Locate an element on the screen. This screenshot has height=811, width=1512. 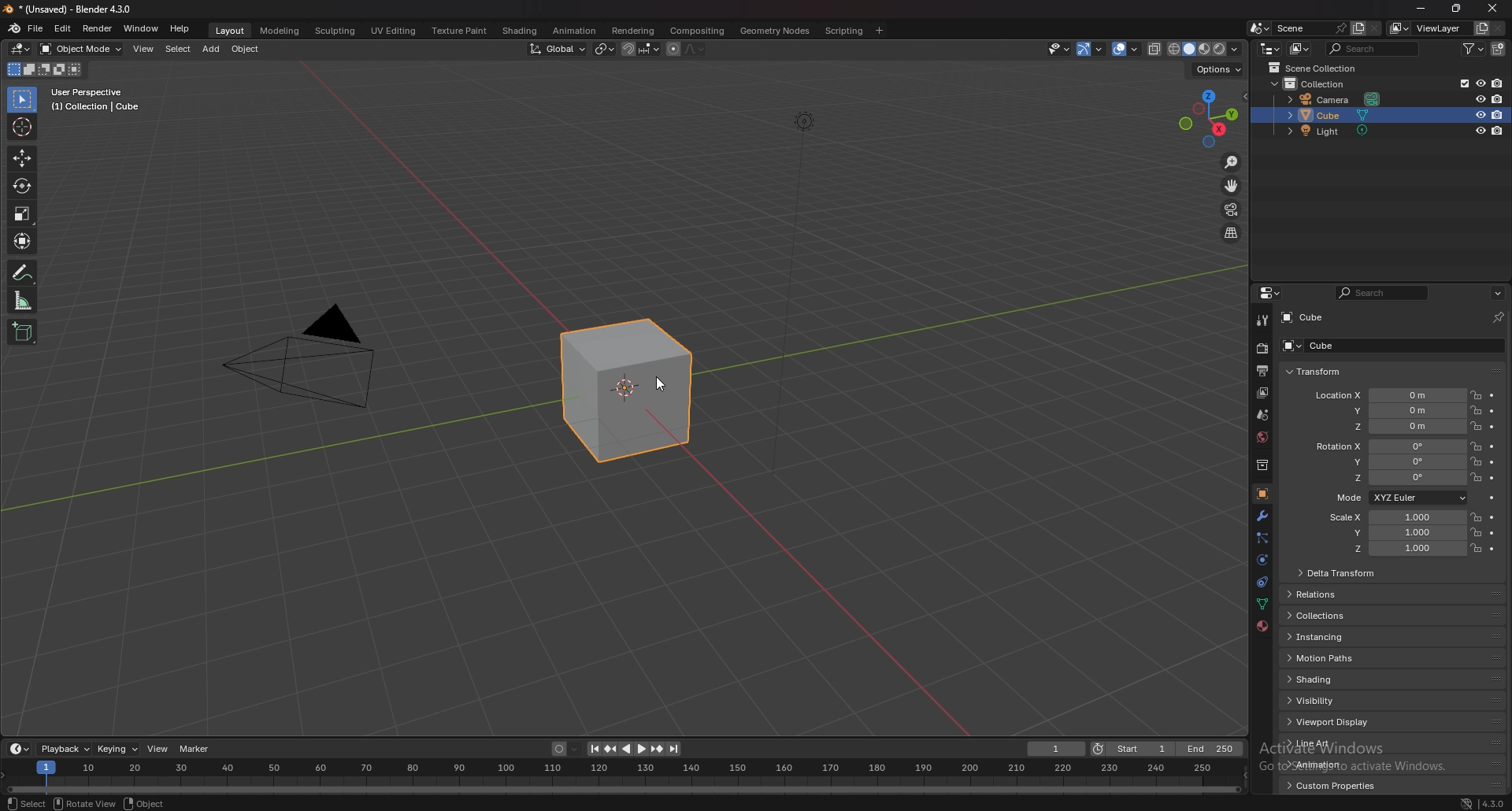
constraints is located at coordinates (1262, 583).